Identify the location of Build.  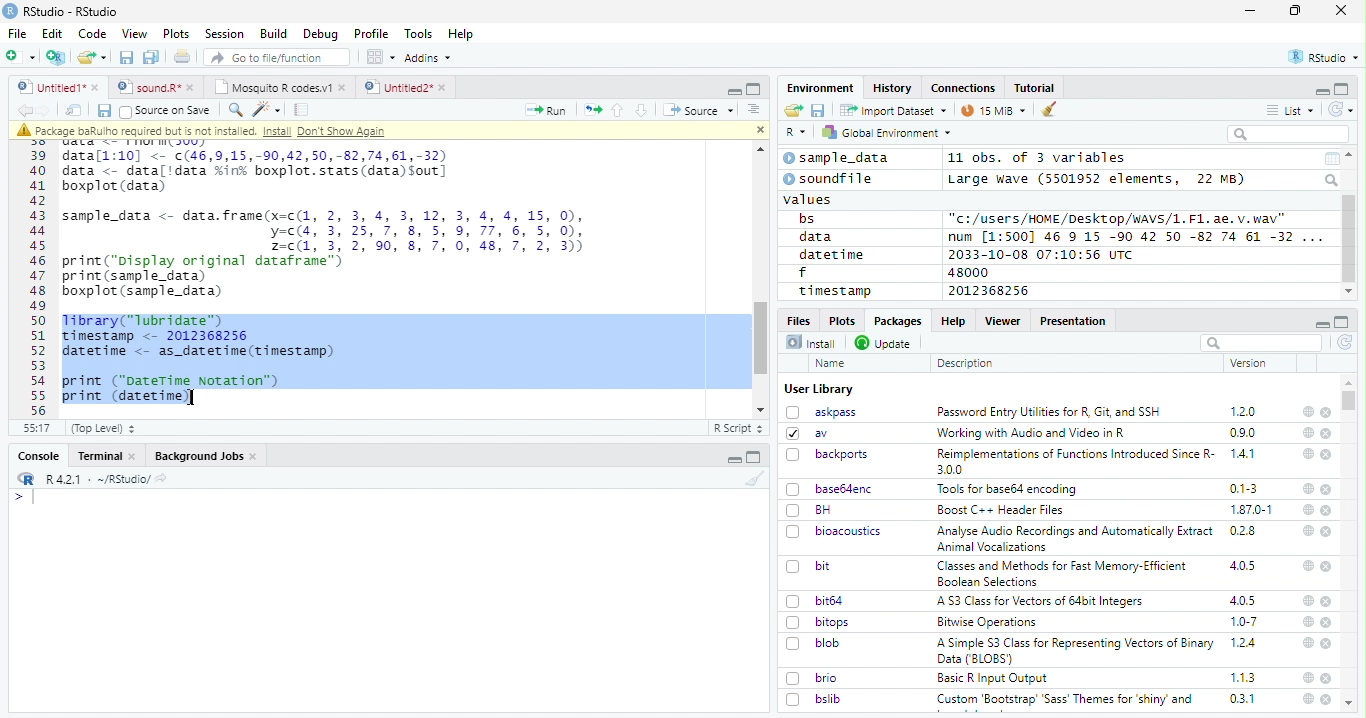
(273, 34).